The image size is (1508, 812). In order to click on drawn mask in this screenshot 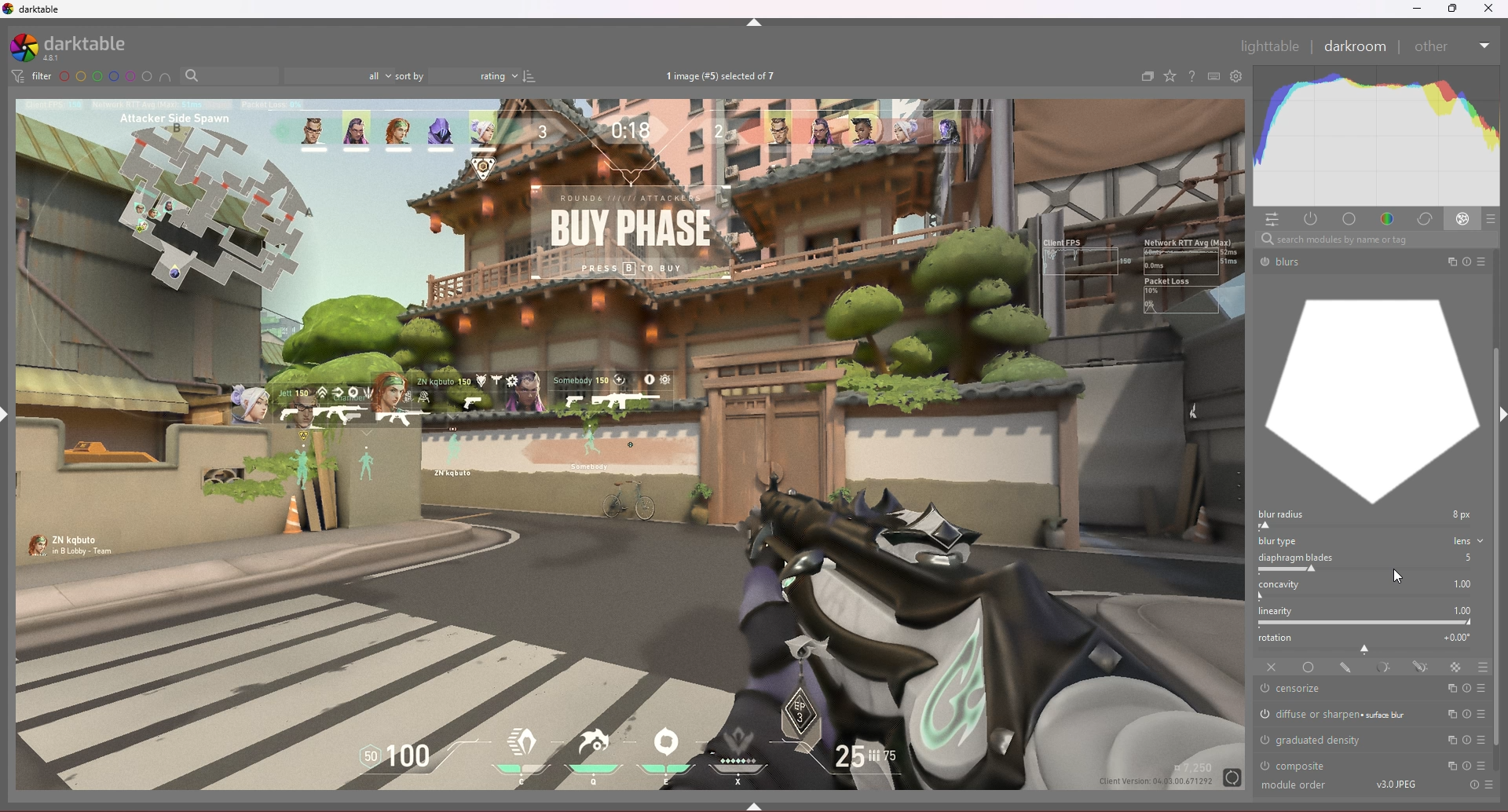, I will do `click(1347, 668)`.